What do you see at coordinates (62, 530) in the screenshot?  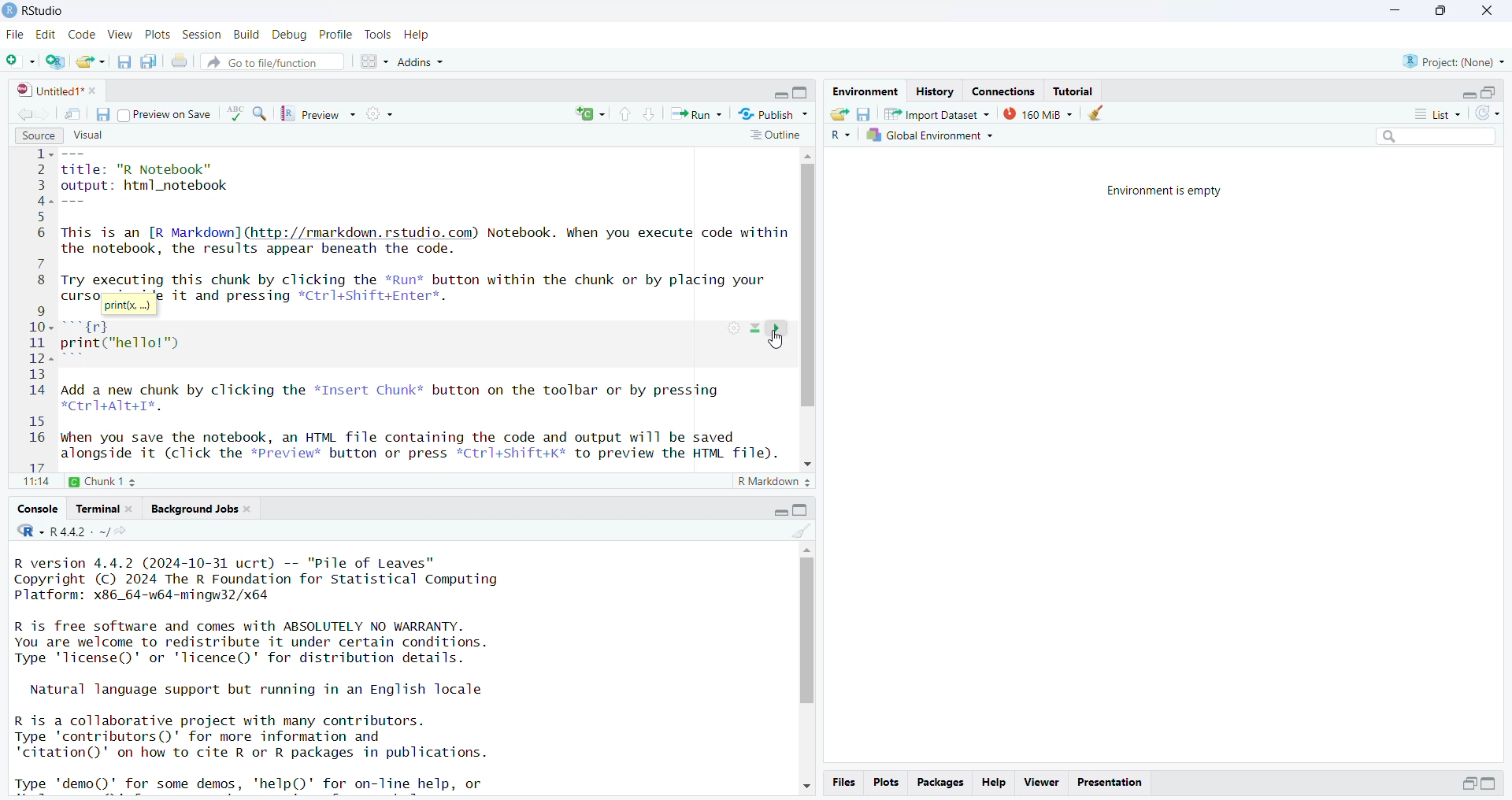 I see `R.4.4.2` at bounding box center [62, 530].